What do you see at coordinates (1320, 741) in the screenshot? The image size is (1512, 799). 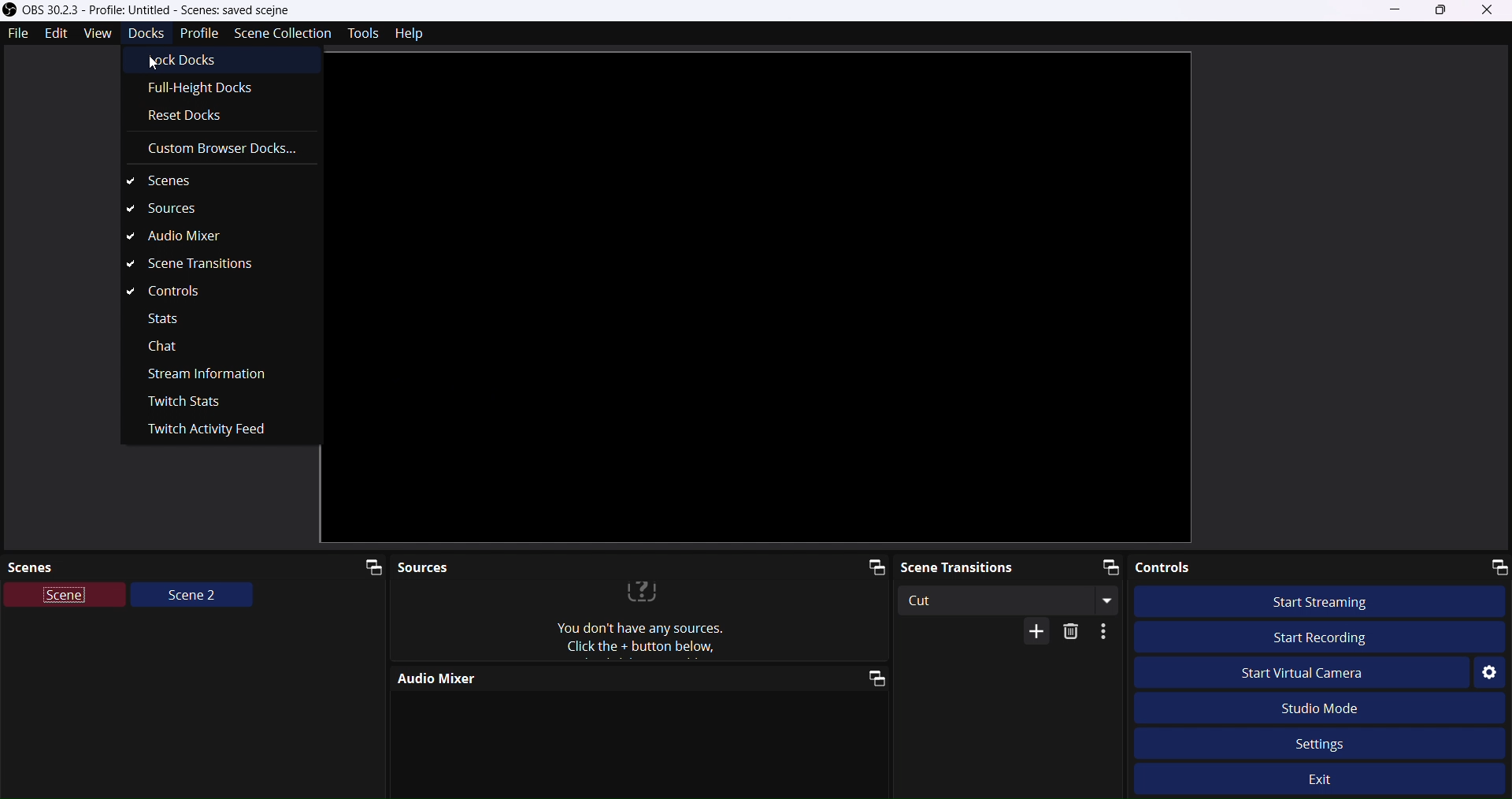 I see `Settings` at bounding box center [1320, 741].